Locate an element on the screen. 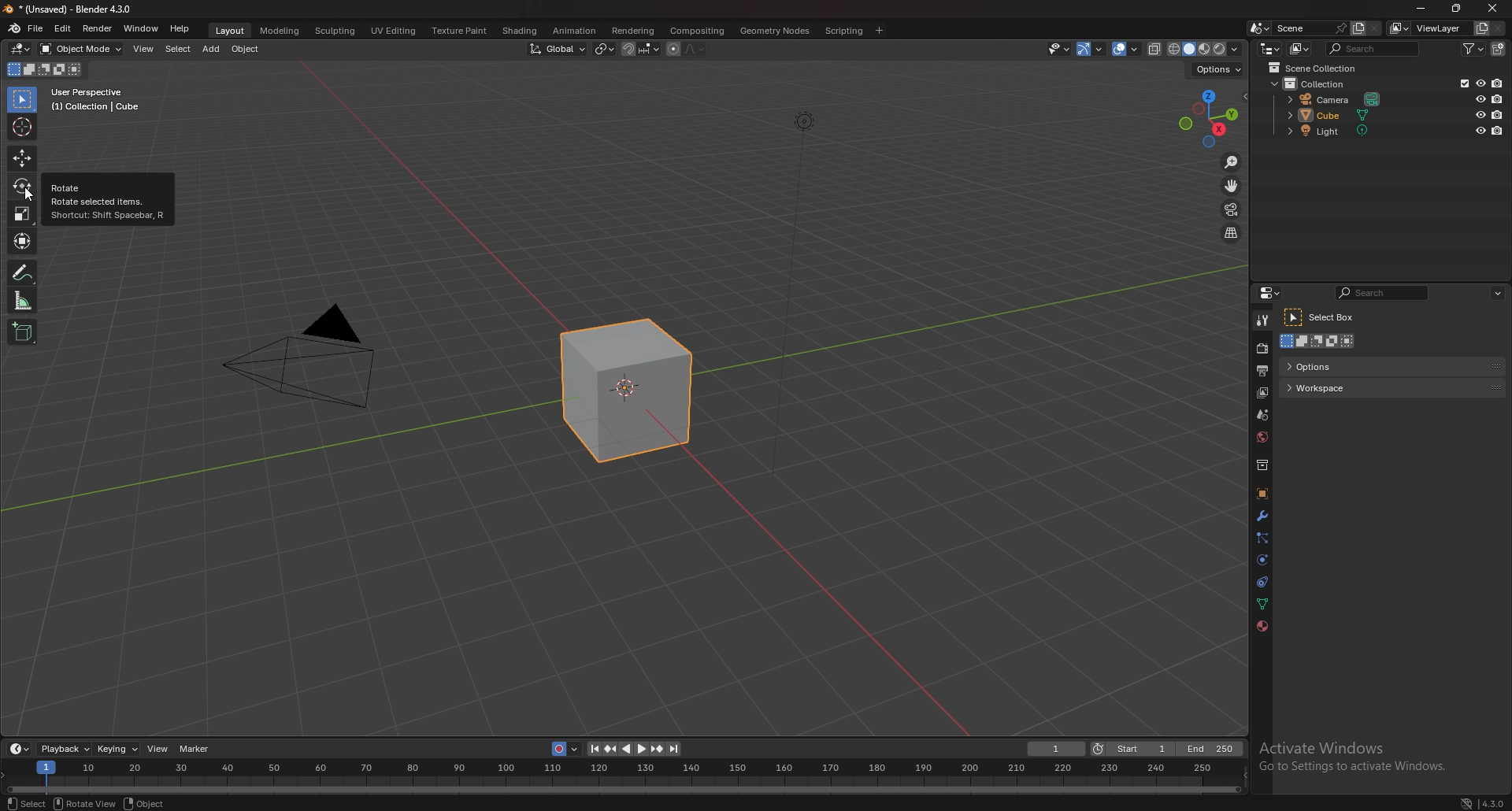  tool is located at coordinates (1262, 321).